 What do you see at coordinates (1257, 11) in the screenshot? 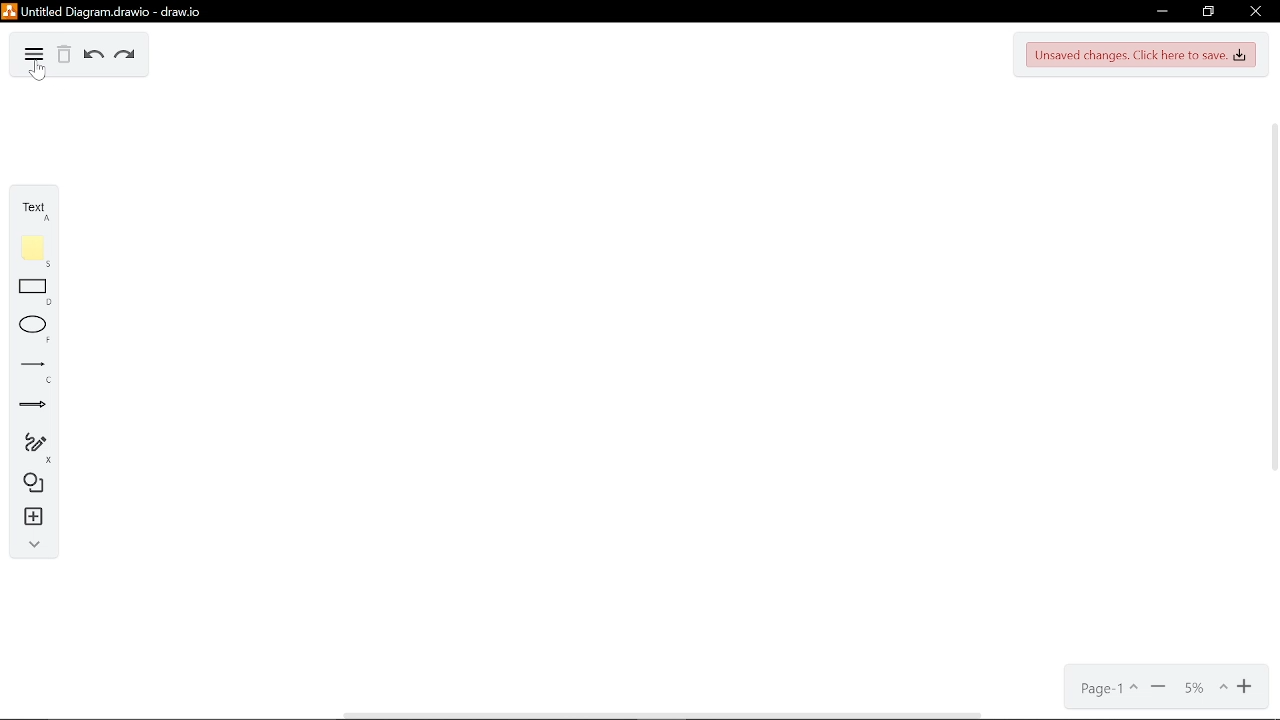
I see `Close` at bounding box center [1257, 11].